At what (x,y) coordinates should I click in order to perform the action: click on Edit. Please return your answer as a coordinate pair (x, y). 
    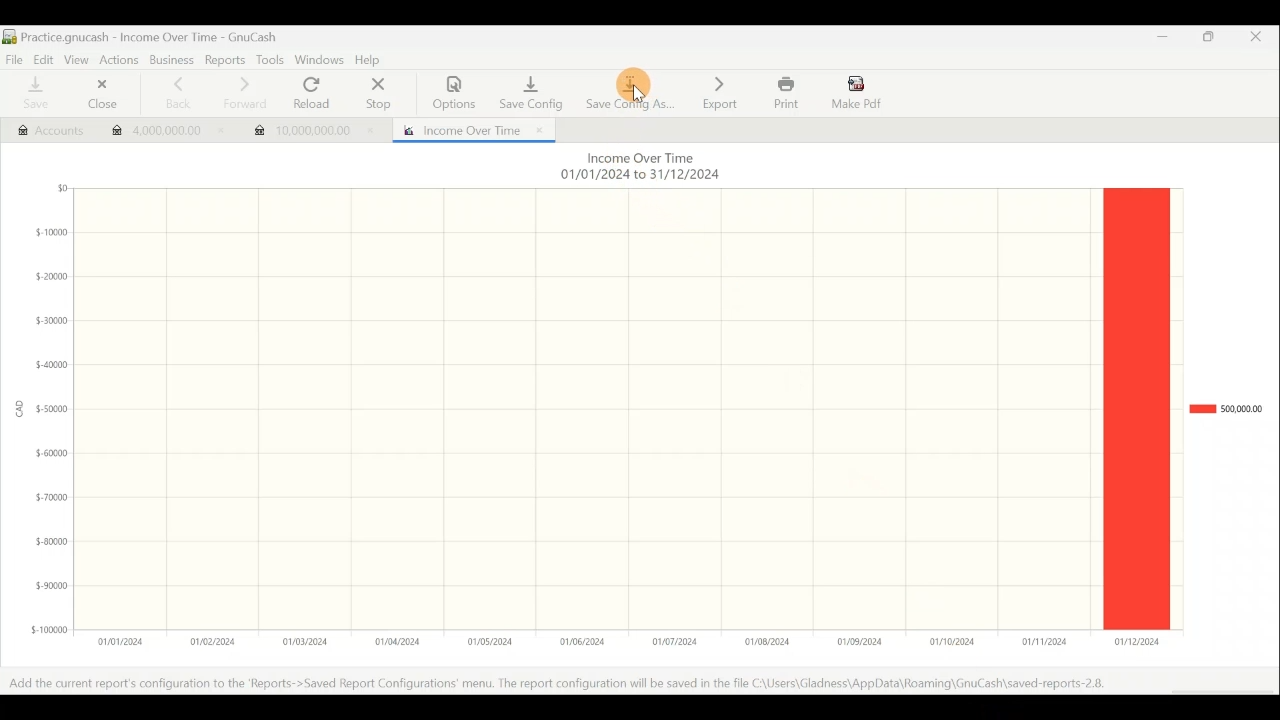
    Looking at the image, I should click on (40, 58).